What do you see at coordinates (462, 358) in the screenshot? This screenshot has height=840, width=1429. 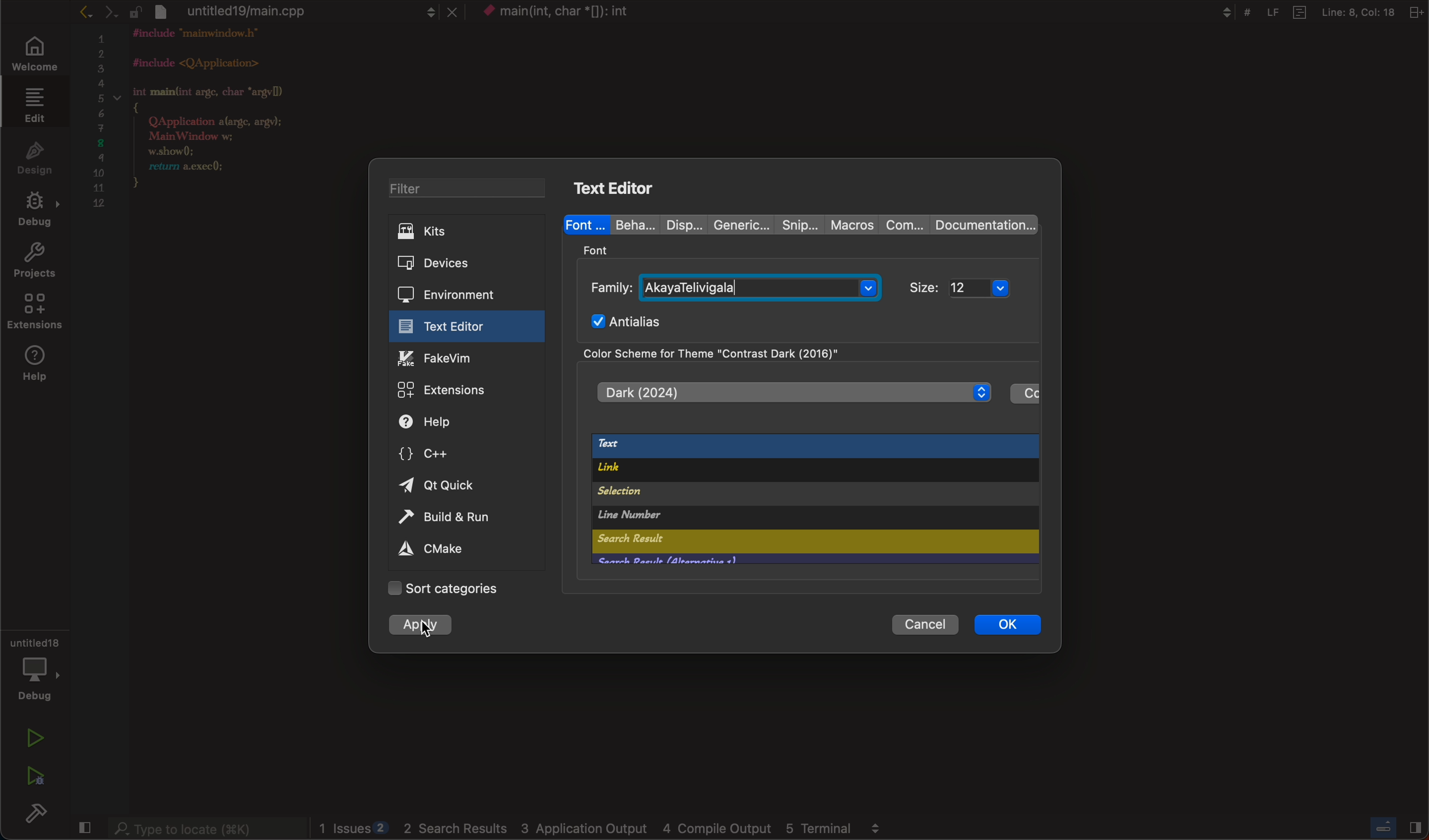 I see `fakevim` at bounding box center [462, 358].